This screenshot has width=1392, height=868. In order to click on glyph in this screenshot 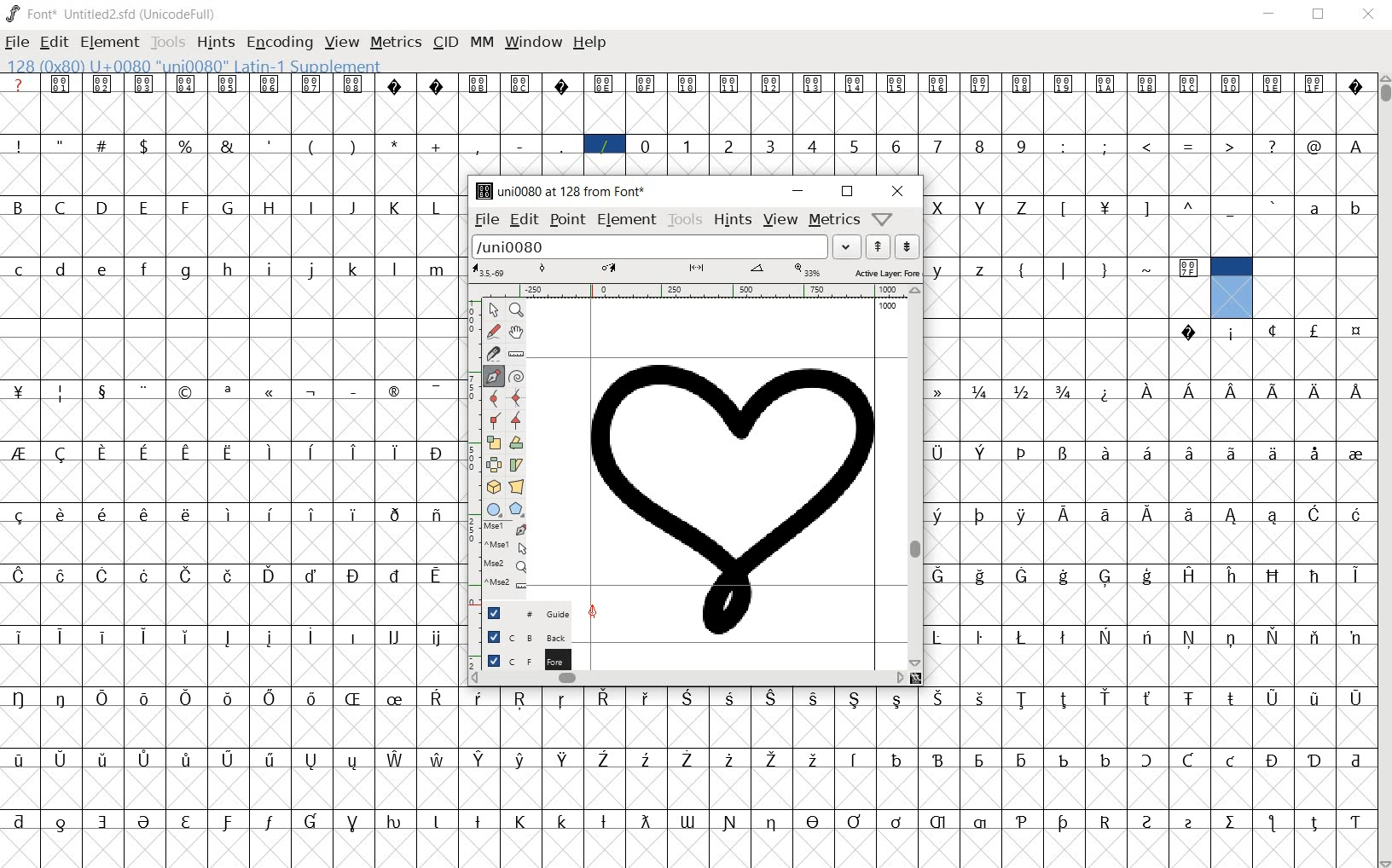, I will do `click(1229, 145)`.